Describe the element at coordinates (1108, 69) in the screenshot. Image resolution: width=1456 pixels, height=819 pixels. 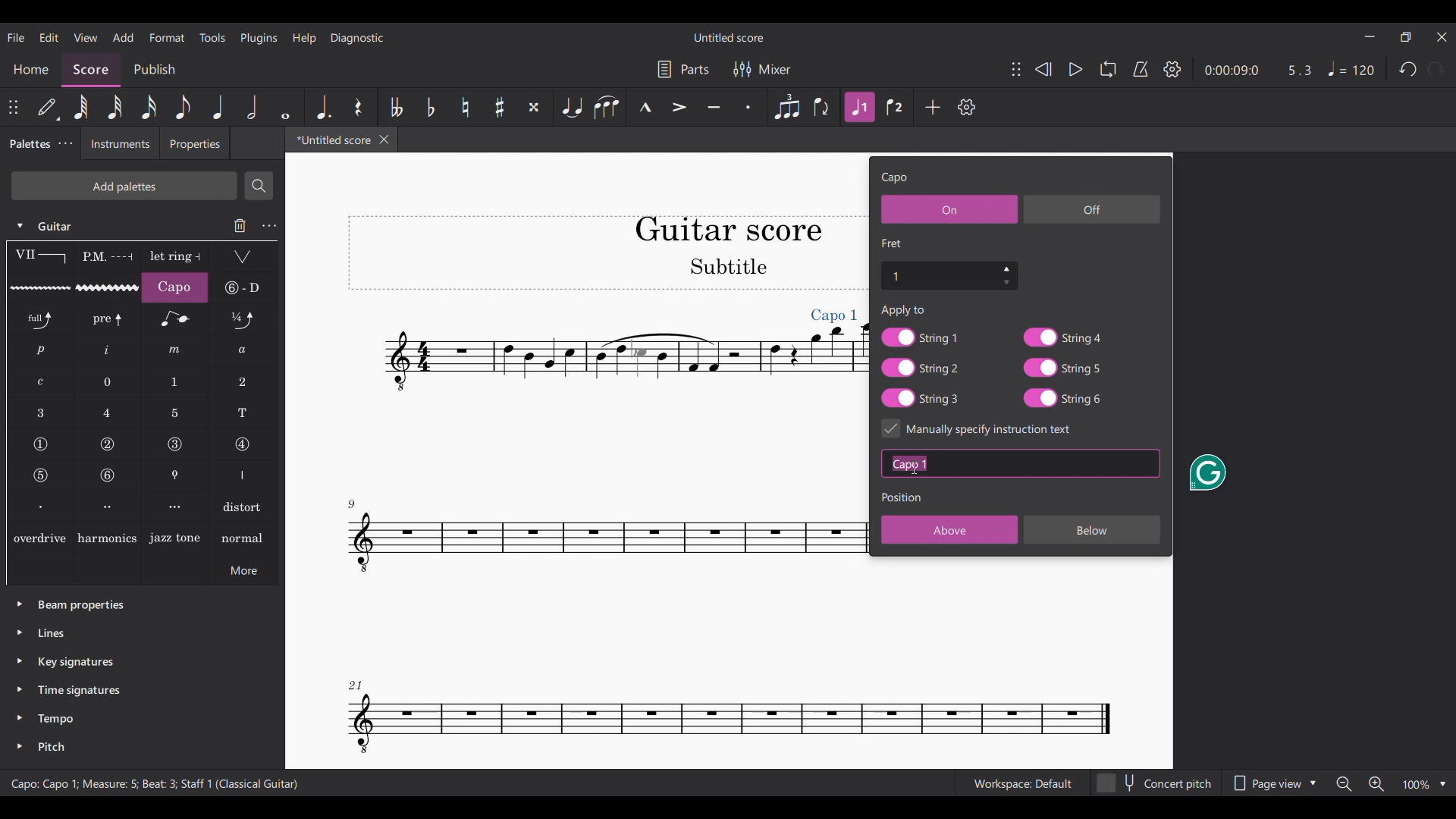
I see `Loop playback` at that location.